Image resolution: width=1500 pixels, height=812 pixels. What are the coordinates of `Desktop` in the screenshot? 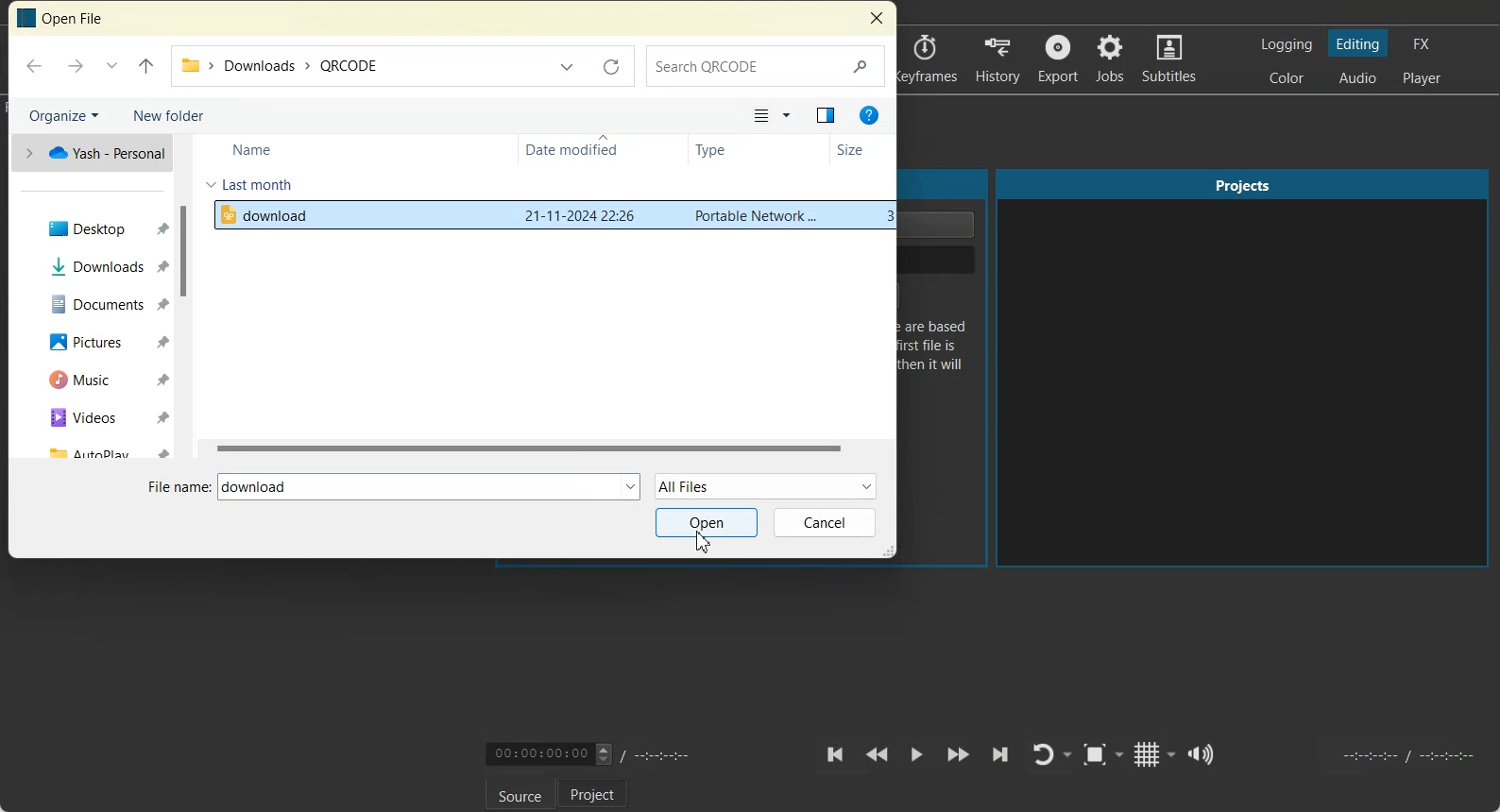 It's located at (99, 228).